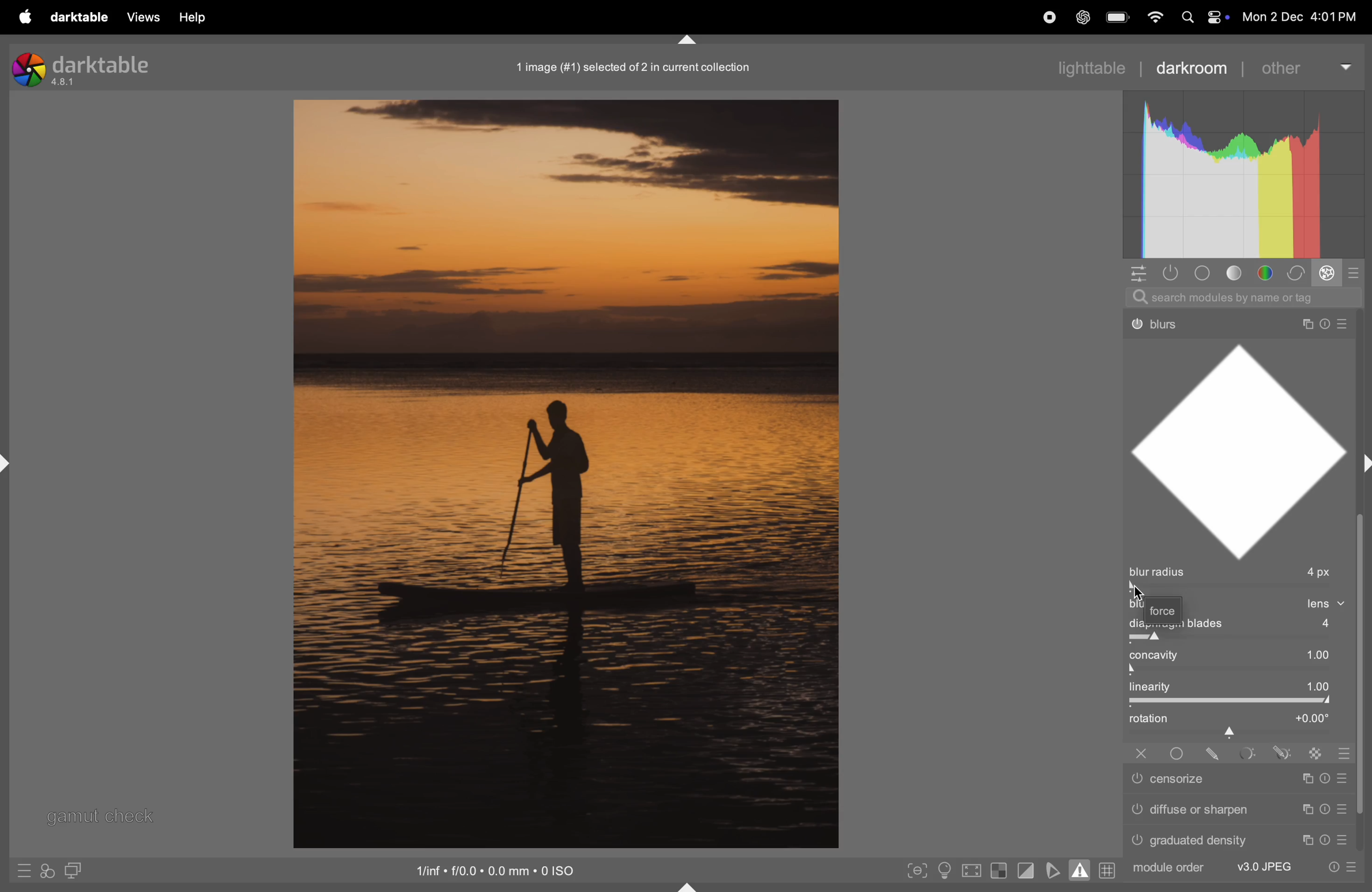 This screenshot has width=1372, height=892. What do you see at coordinates (142, 17) in the screenshot?
I see `views` at bounding box center [142, 17].